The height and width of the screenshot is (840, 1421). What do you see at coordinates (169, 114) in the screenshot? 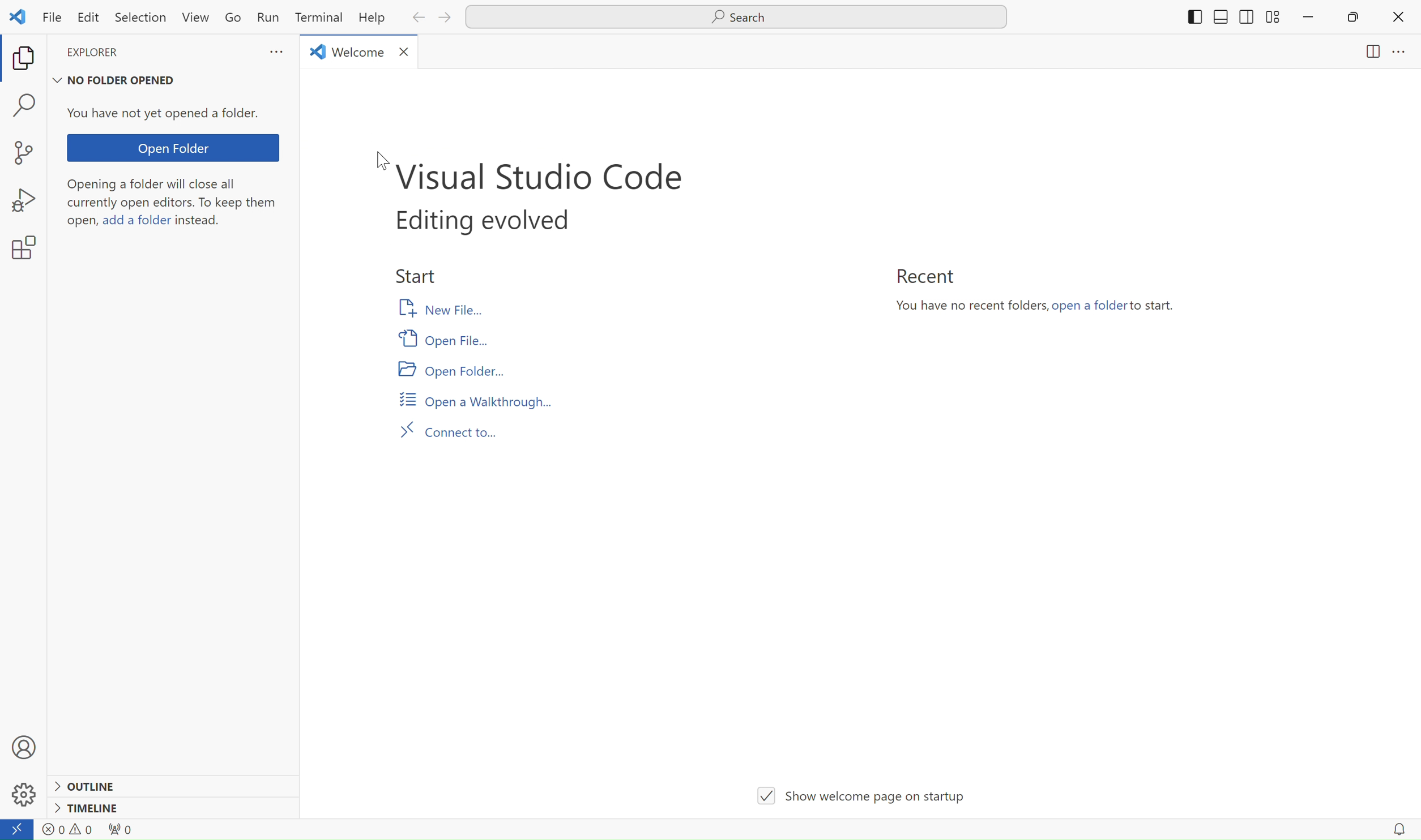
I see `You have not yet opened a folder` at bounding box center [169, 114].